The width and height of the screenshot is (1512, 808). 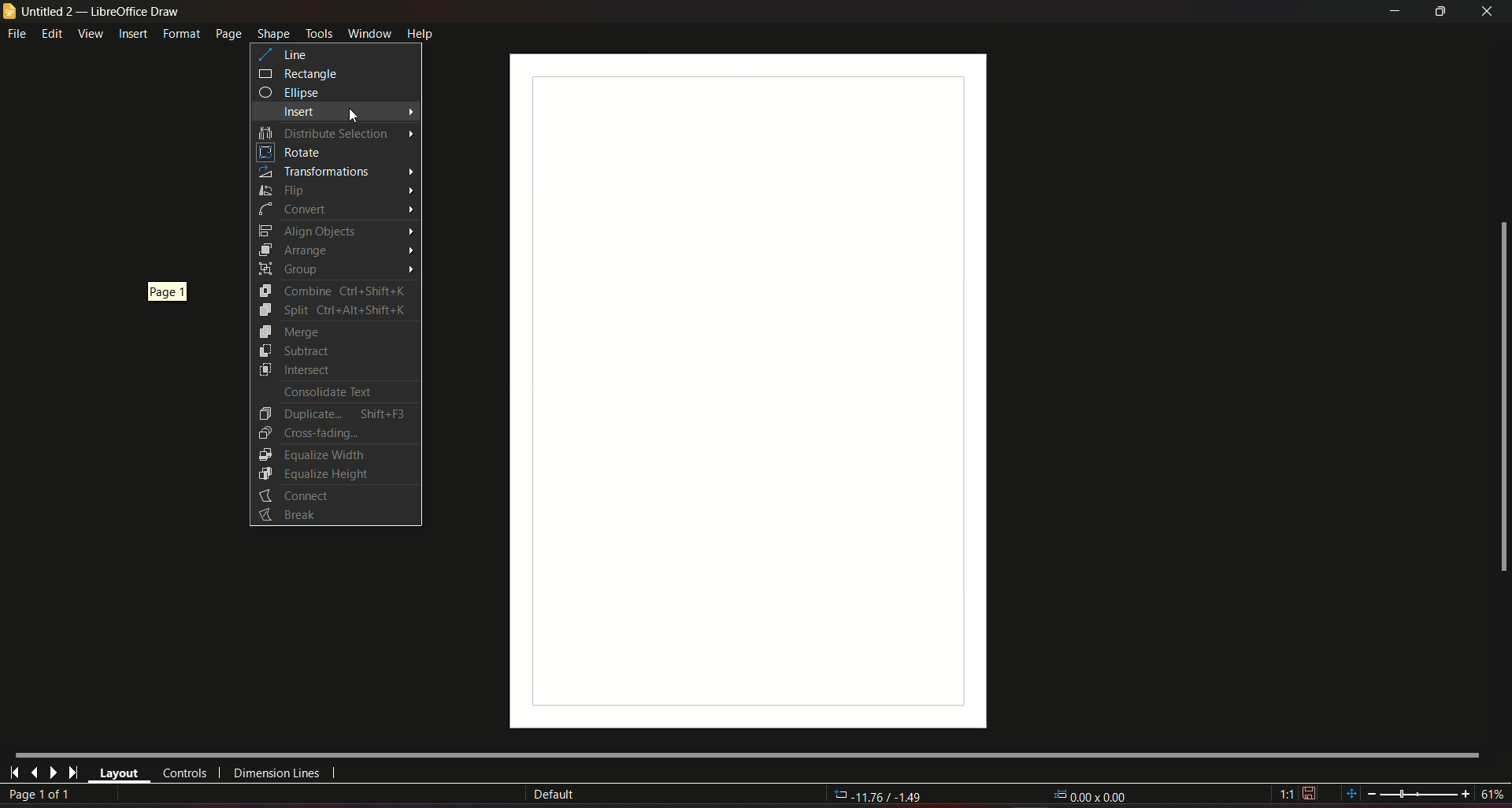 What do you see at coordinates (1298, 794) in the screenshot?
I see `1:1` at bounding box center [1298, 794].